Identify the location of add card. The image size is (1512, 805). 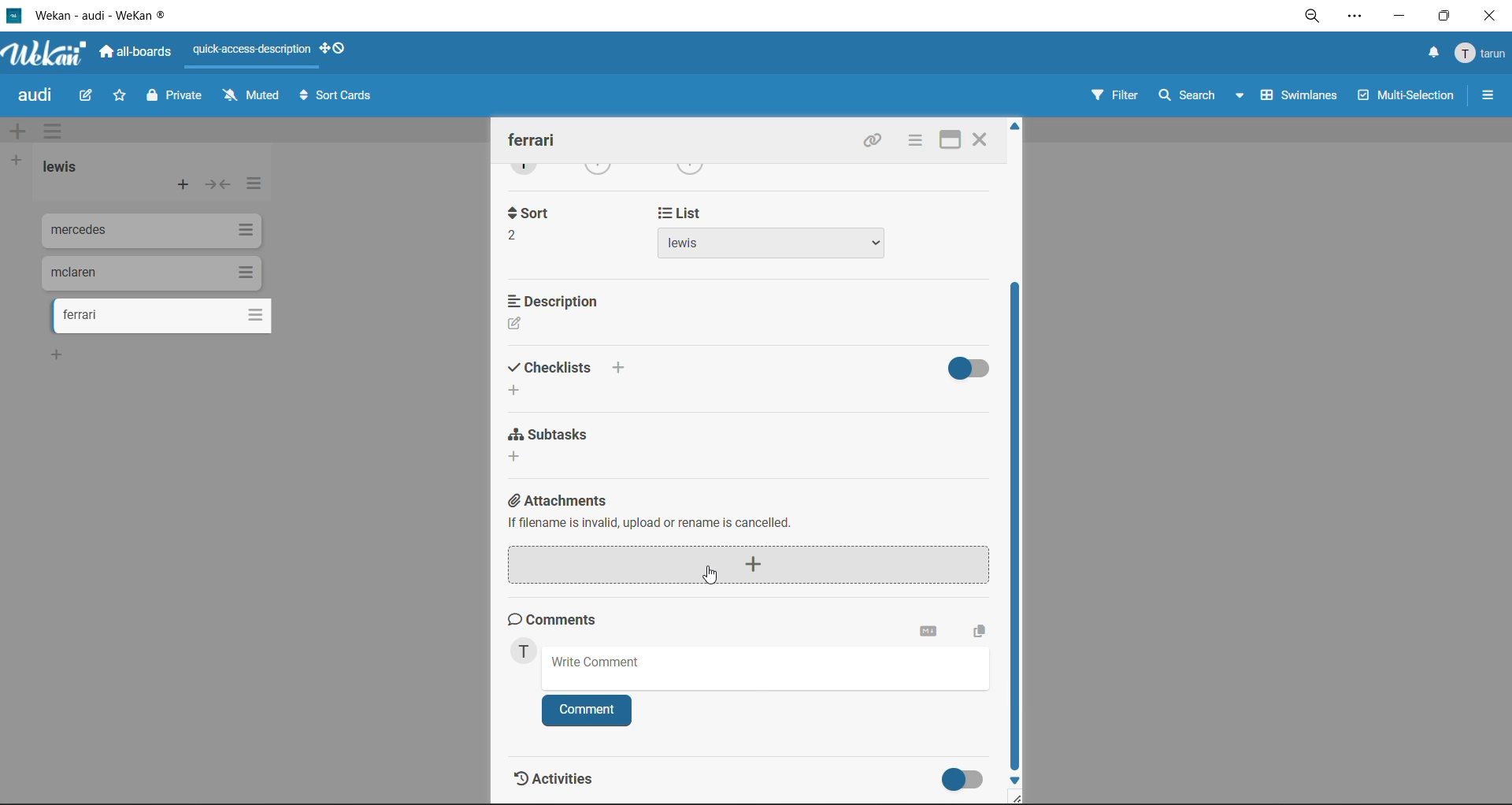
(184, 186).